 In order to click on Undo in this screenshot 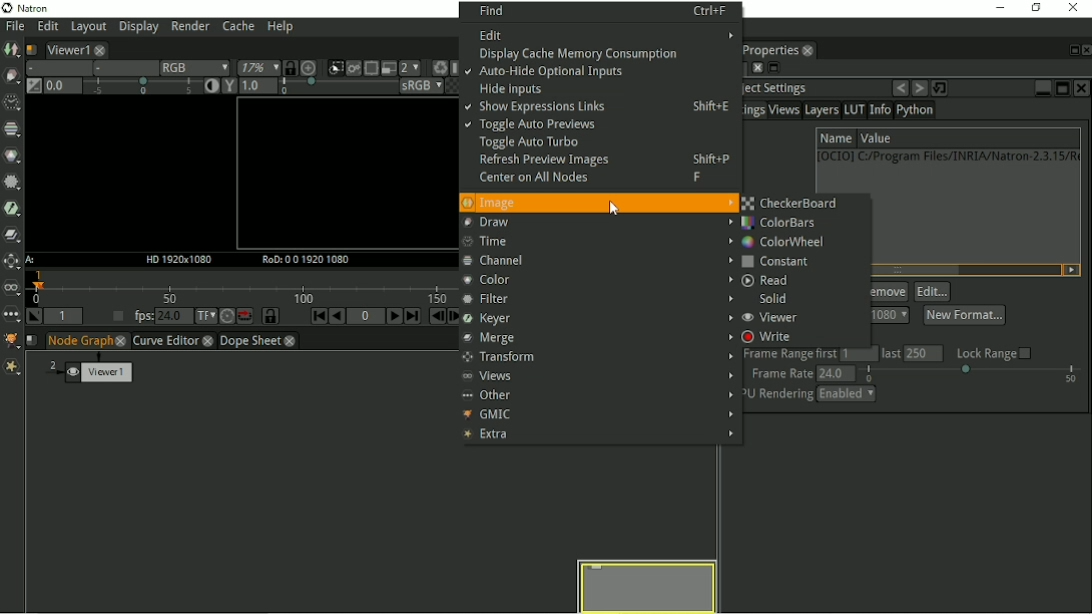, I will do `click(900, 88)`.